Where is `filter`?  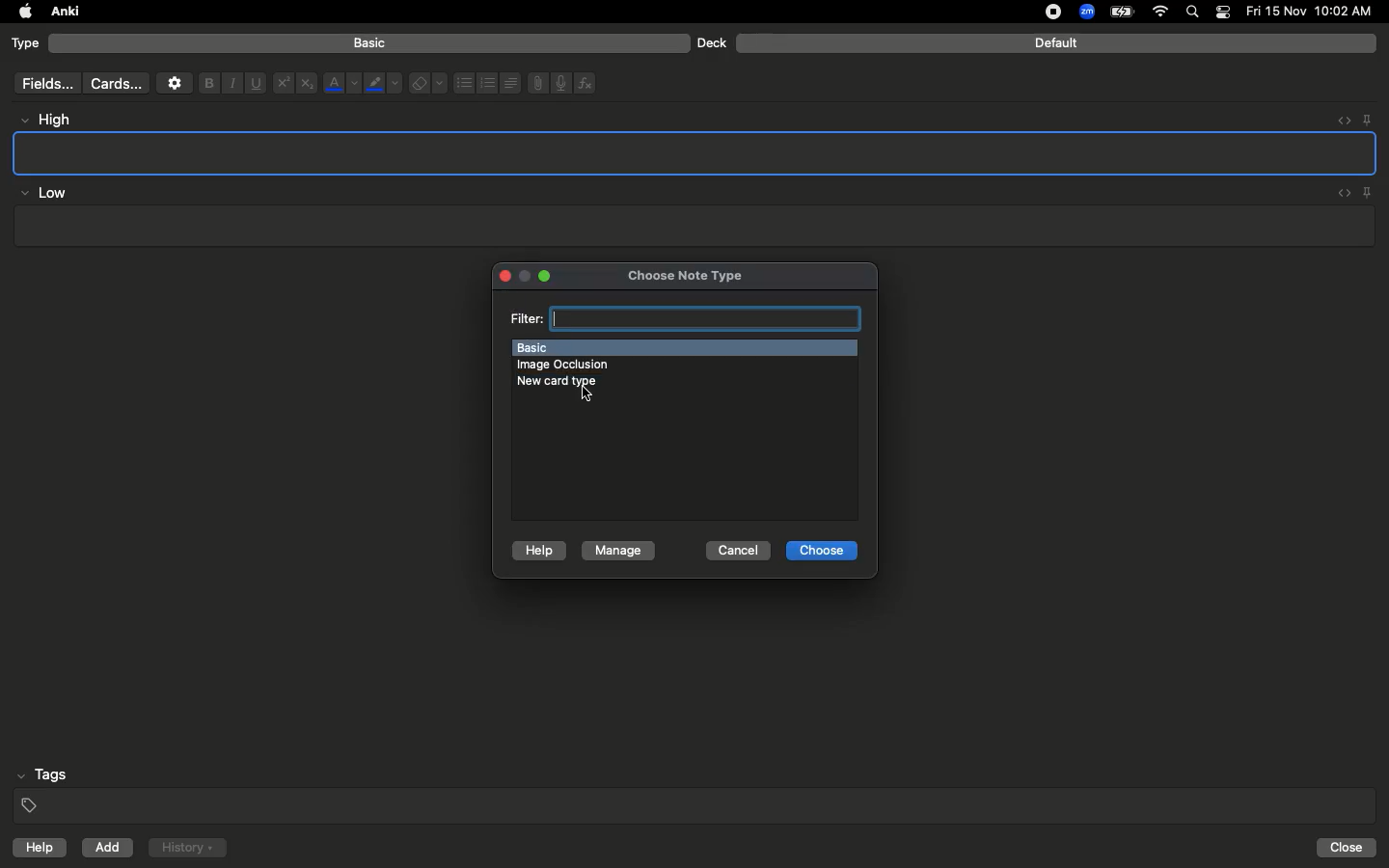 filter is located at coordinates (684, 317).